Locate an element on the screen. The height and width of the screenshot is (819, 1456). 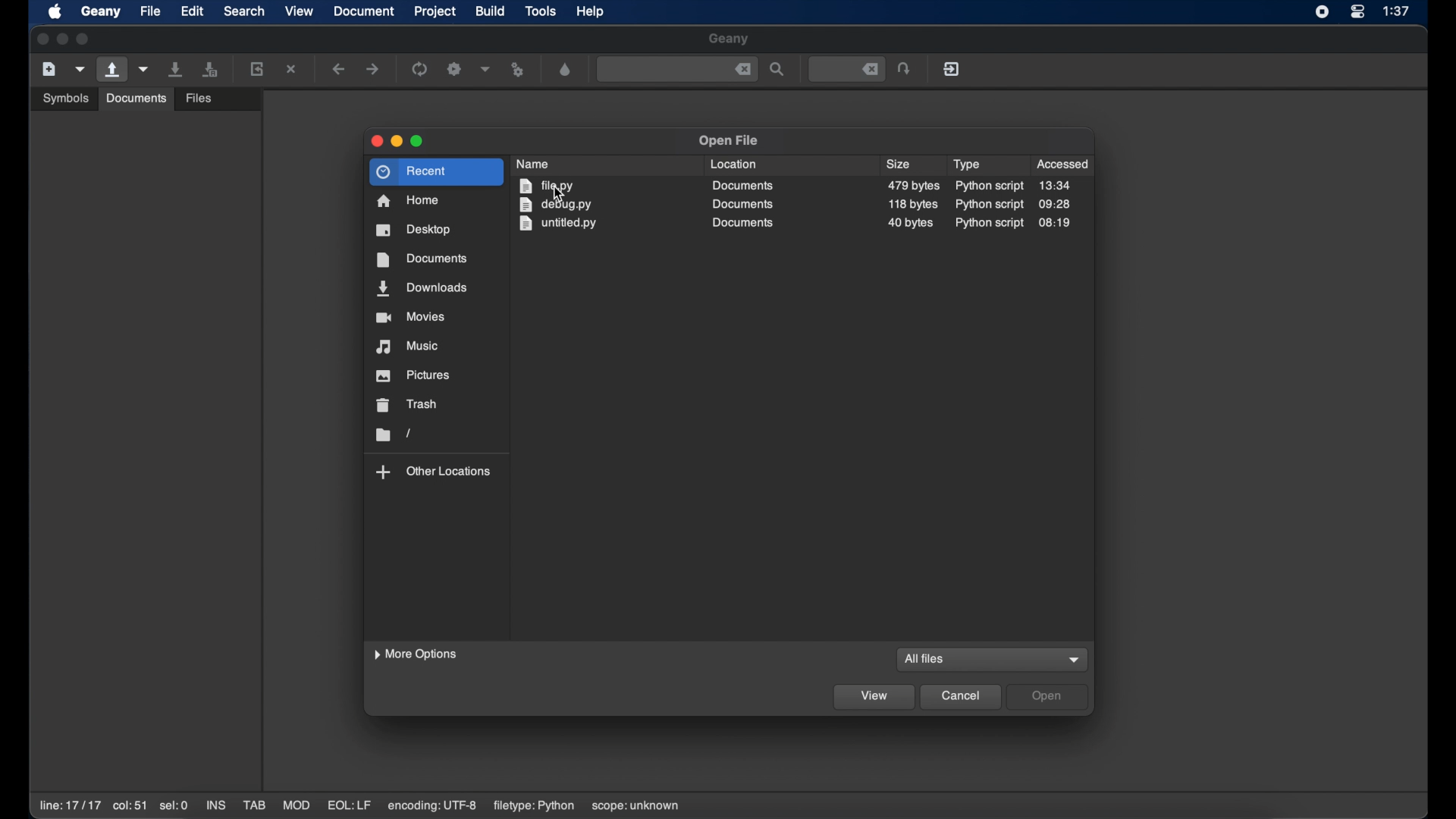
python script is located at coordinates (988, 204).